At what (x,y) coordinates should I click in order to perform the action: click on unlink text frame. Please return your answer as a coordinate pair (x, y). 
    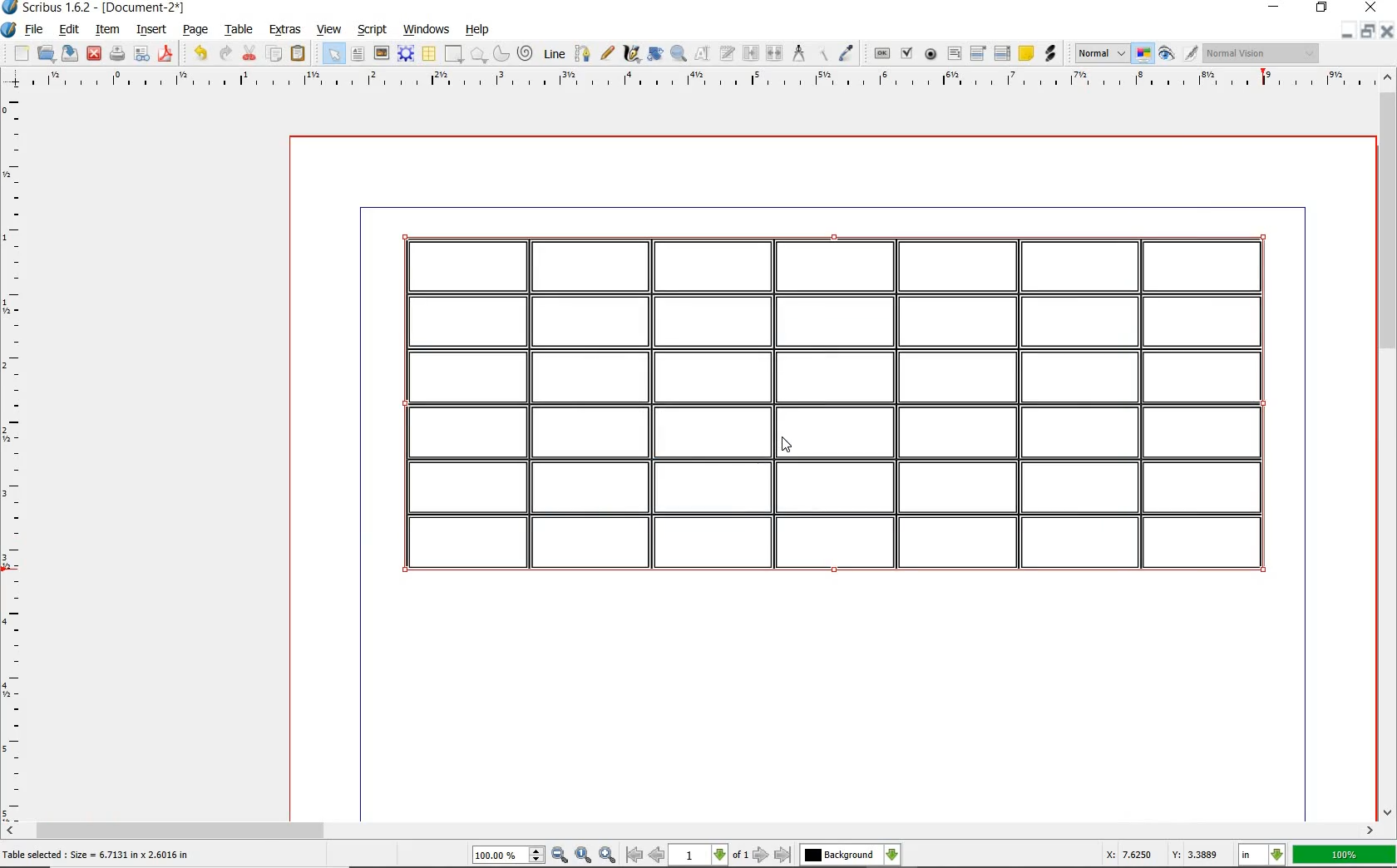
    Looking at the image, I should click on (772, 54).